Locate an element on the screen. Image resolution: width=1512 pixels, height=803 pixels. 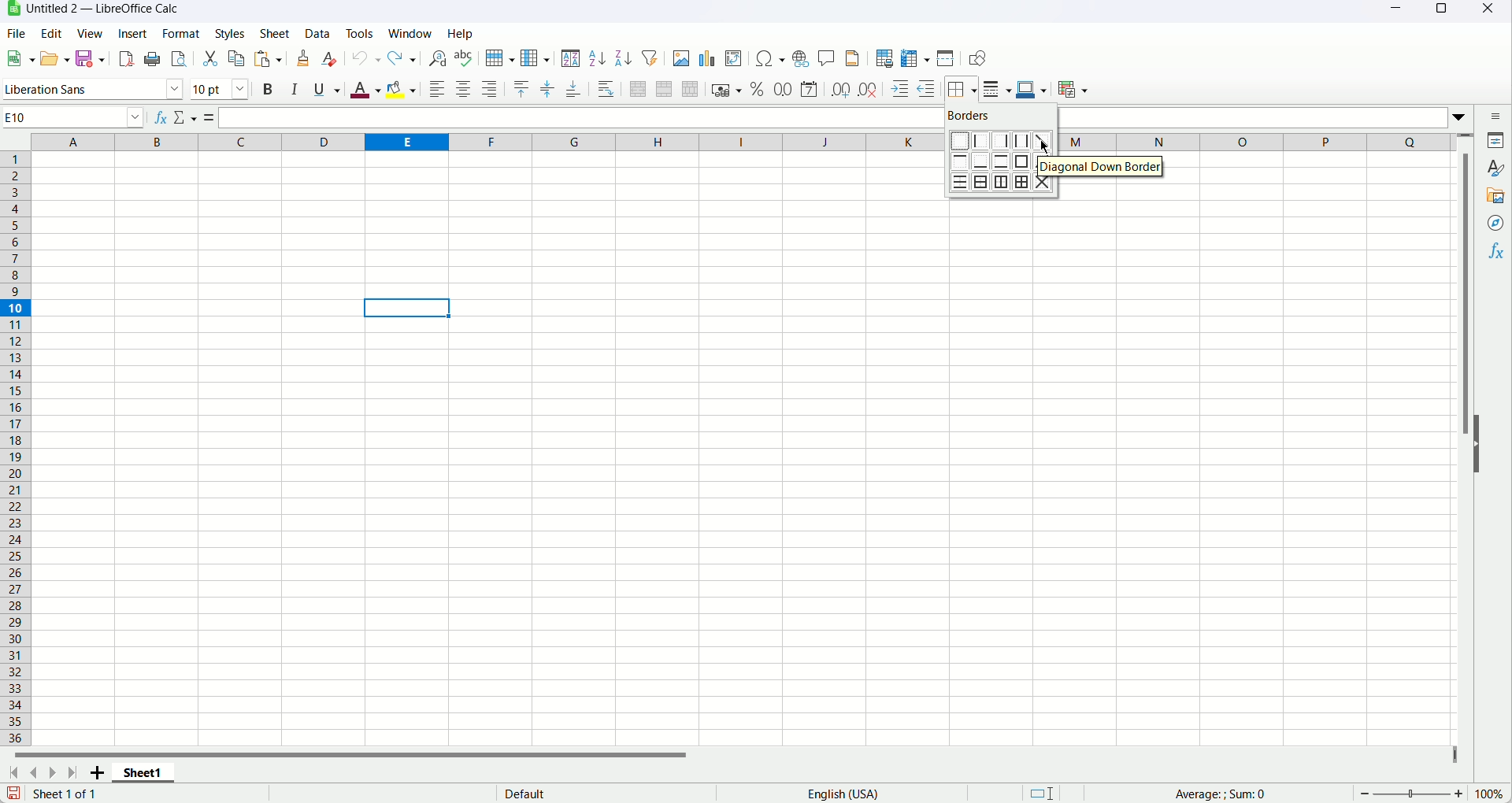
Tools is located at coordinates (358, 32).